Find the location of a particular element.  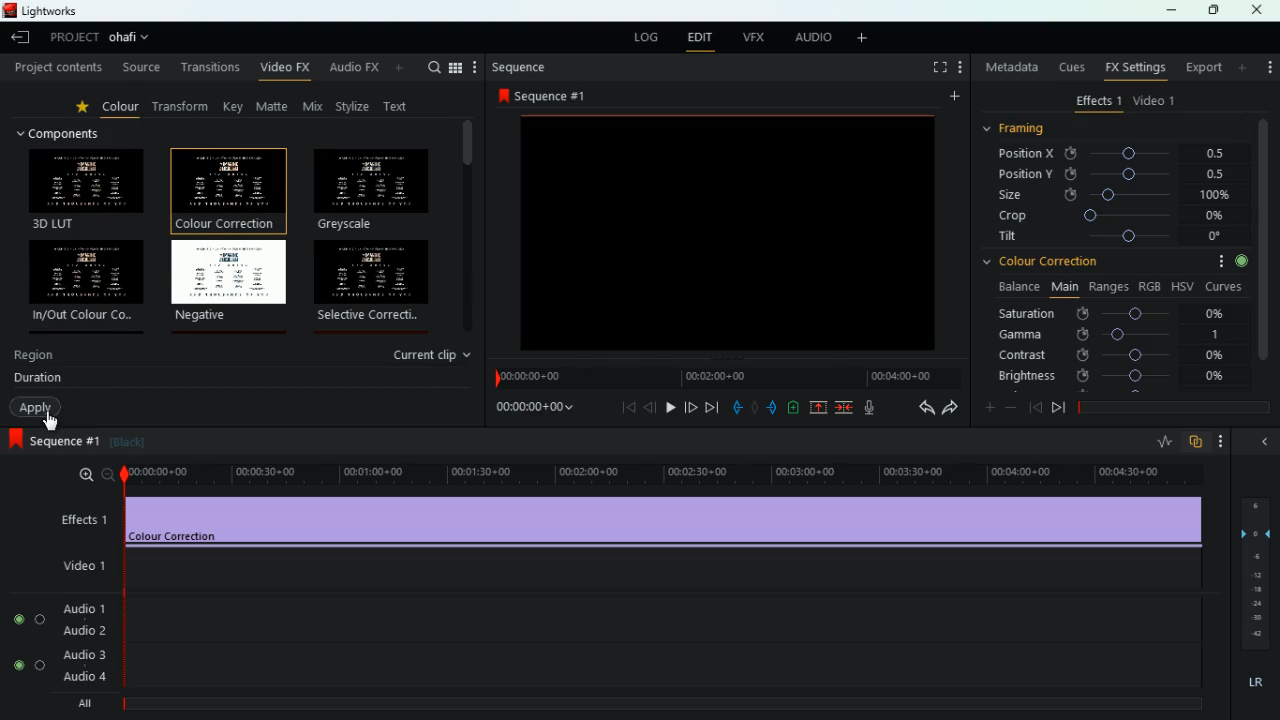

crop is located at coordinates (1118, 217).